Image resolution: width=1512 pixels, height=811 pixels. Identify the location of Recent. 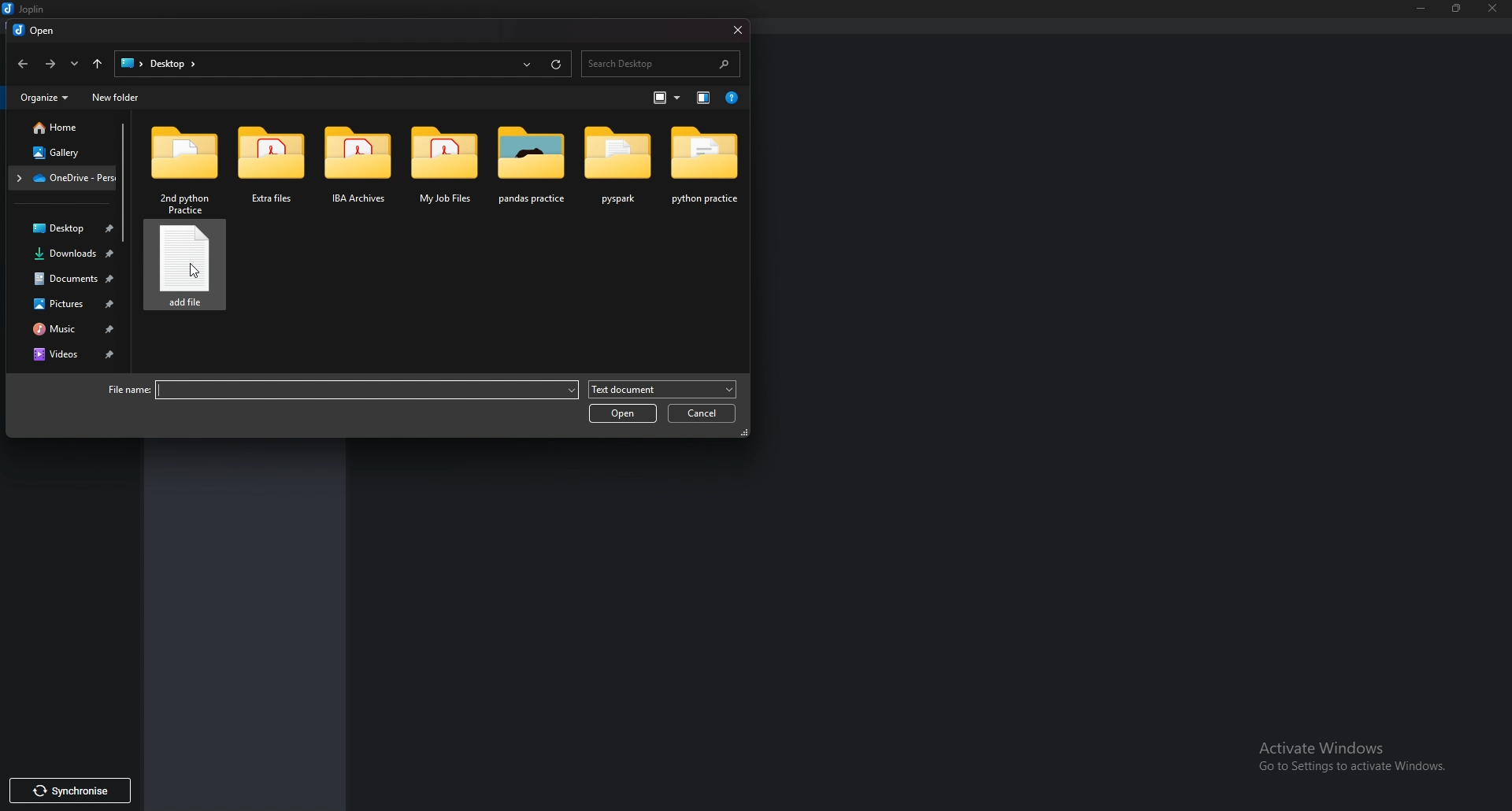
(76, 65).